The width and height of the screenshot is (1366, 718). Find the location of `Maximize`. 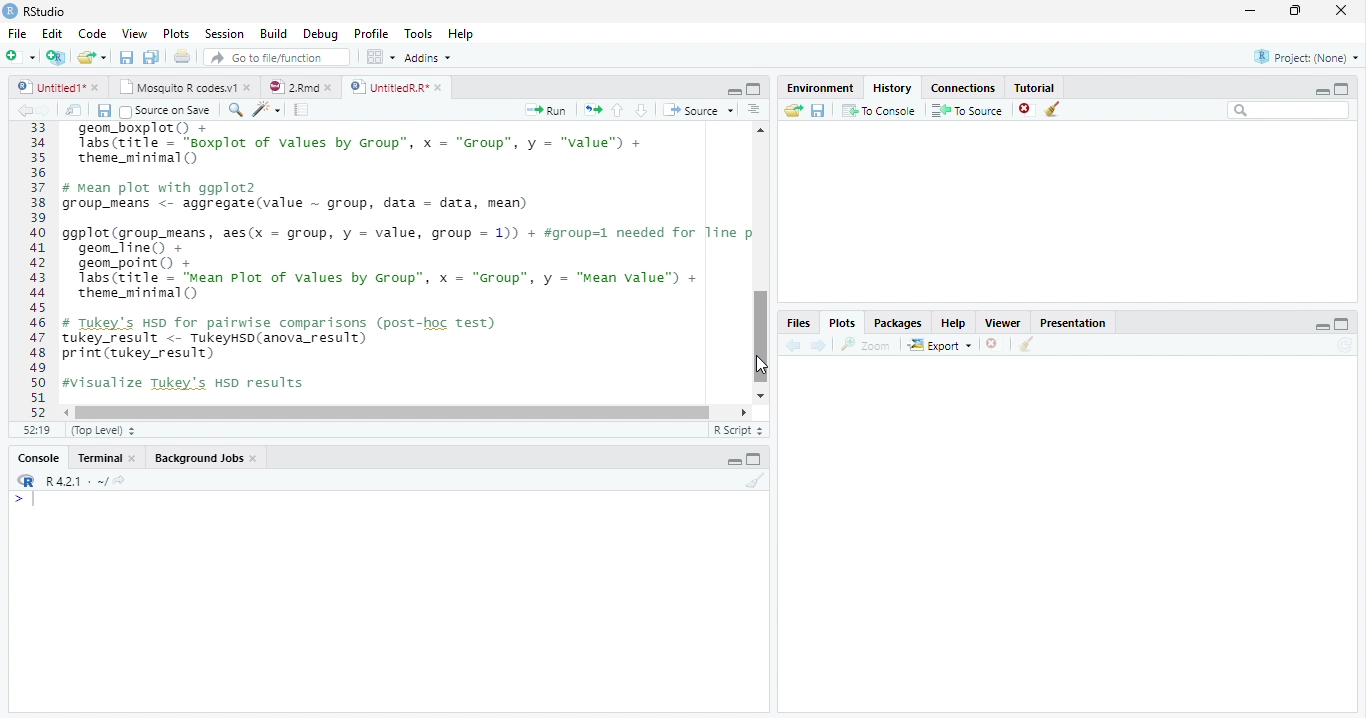

Maximize is located at coordinates (1342, 325).